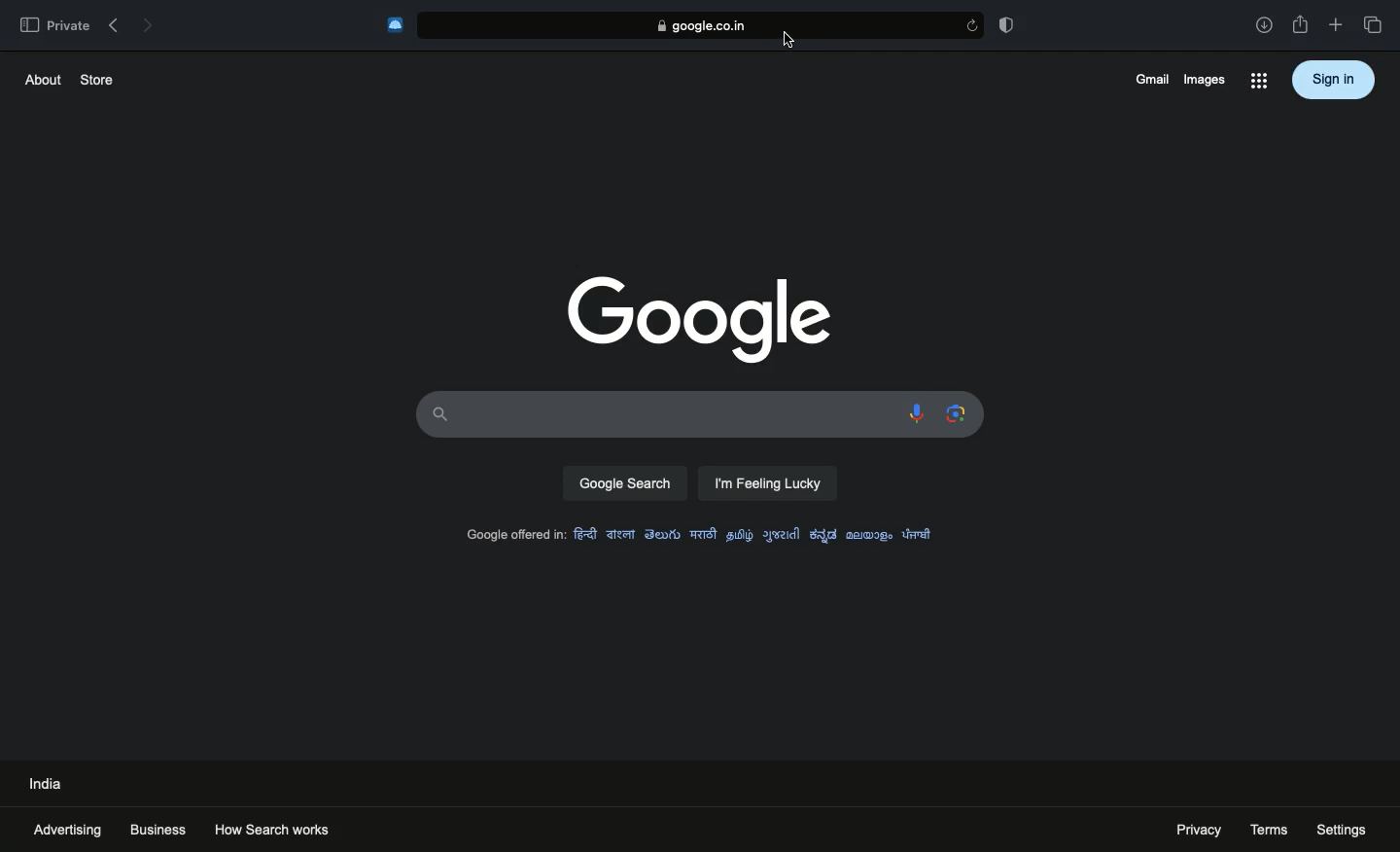 The height and width of the screenshot is (852, 1400). What do you see at coordinates (158, 830) in the screenshot?
I see `business` at bounding box center [158, 830].